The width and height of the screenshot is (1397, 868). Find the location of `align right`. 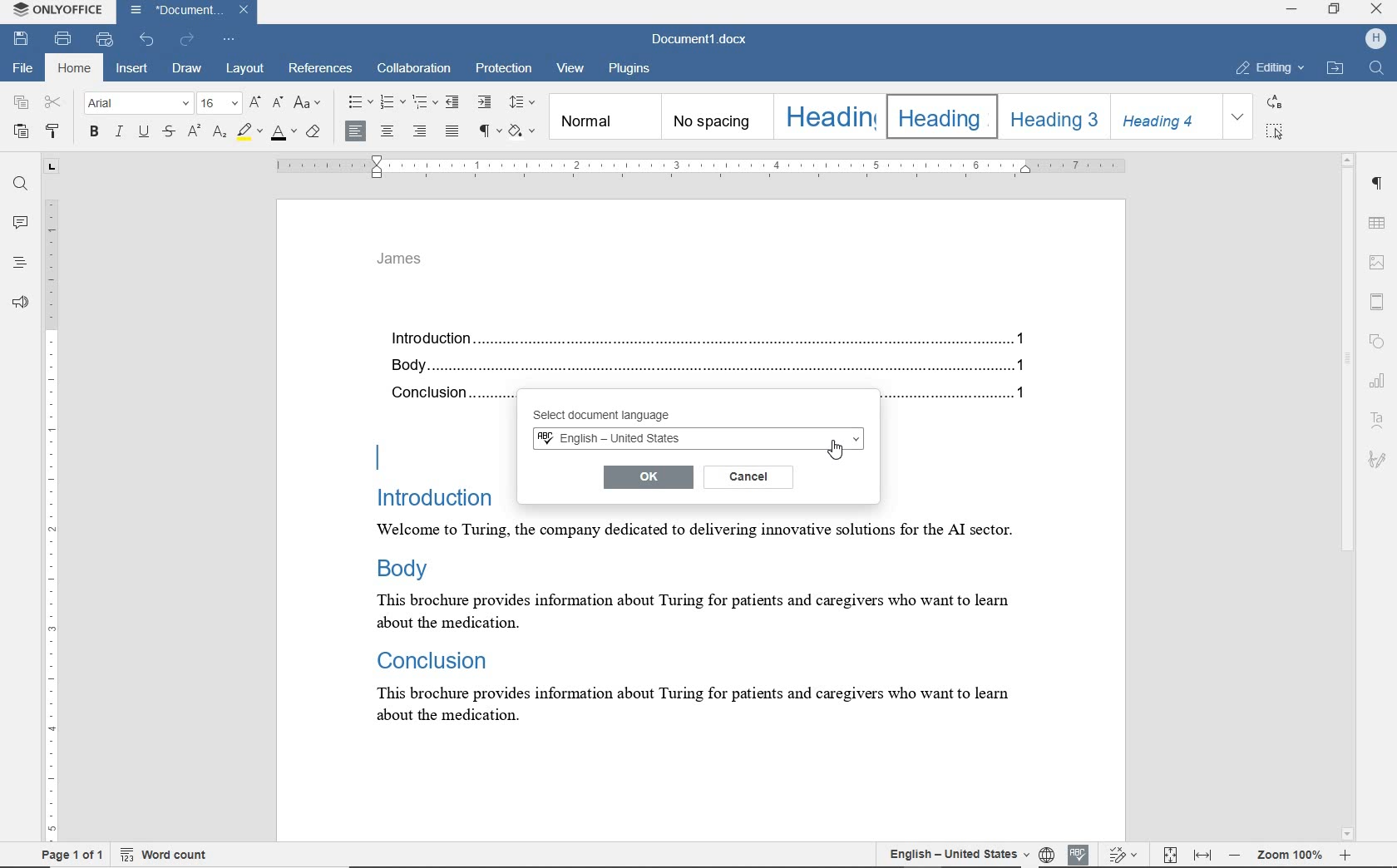

align right is located at coordinates (422, 133).